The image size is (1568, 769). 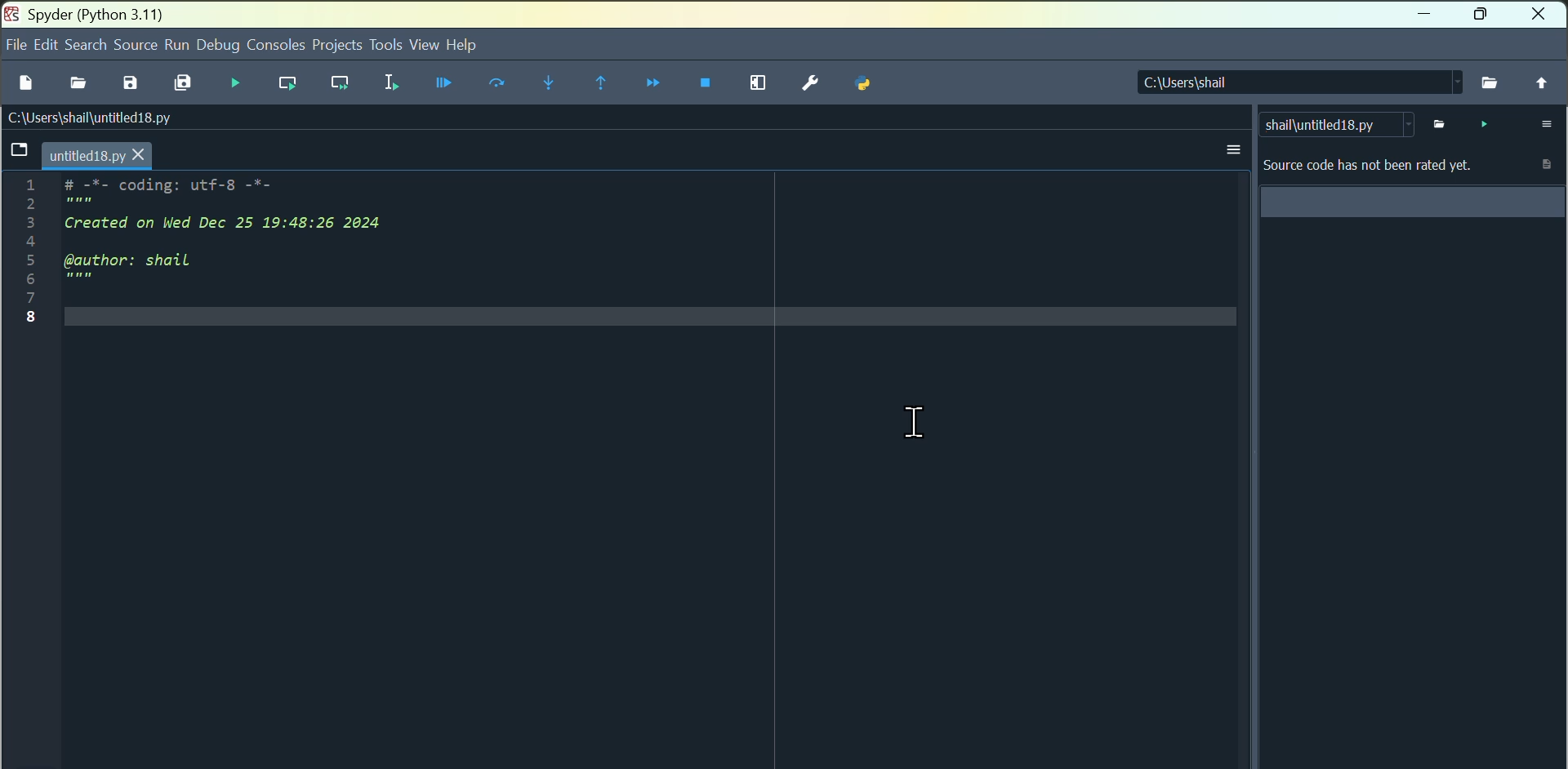 What do you see at coordinates (82, 12) in the screenshot?
I see `Spyder (Python 3.11)` at bounding box center [82, 12].